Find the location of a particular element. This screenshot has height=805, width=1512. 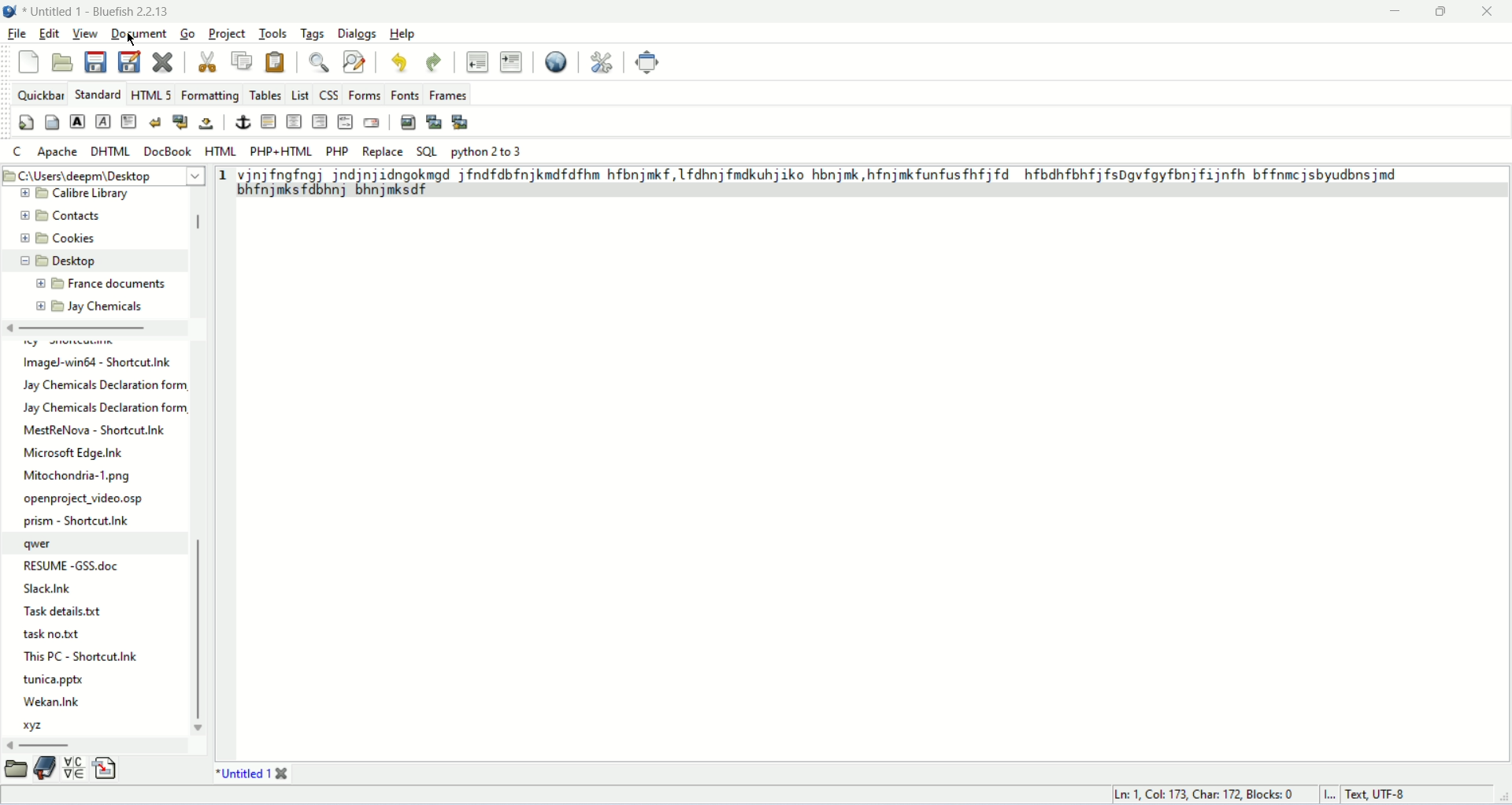

xyz is located at coordinates (36, 728).